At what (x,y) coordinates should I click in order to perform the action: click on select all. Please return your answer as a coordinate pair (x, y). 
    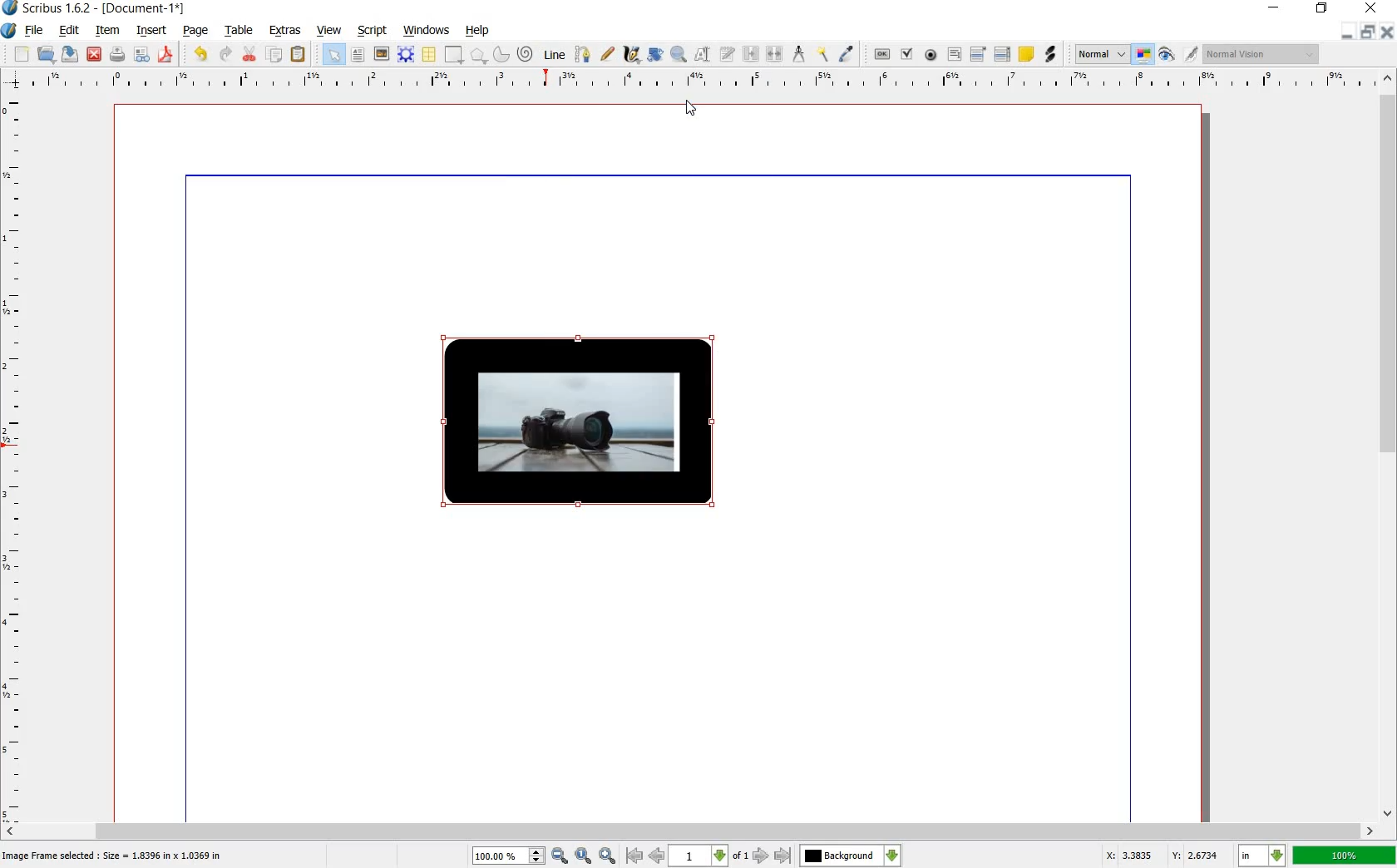
    Looking at the image, I should click on (333, 55).